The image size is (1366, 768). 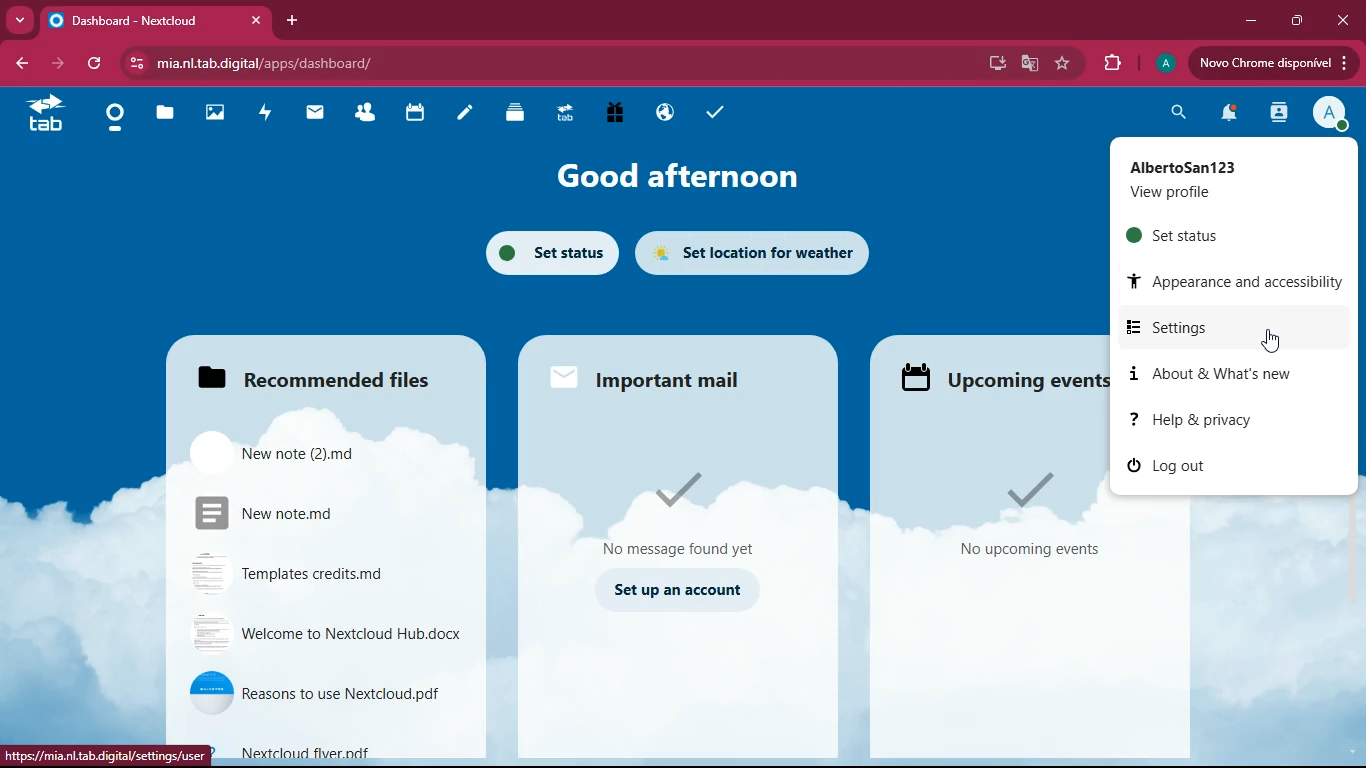 What do you see at coordinates (1342, 19) in the screenshot?
I see `close` at bounding box center [1342, 19].